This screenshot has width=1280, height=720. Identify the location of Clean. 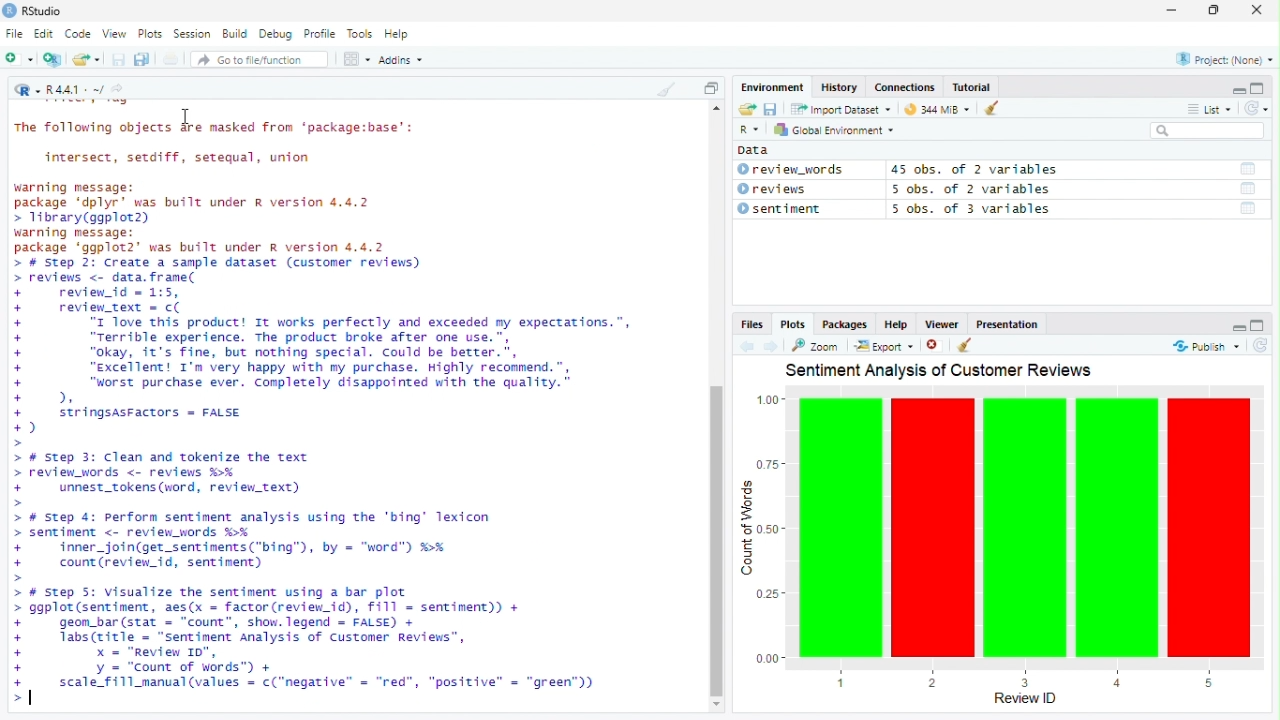
(965, 344).